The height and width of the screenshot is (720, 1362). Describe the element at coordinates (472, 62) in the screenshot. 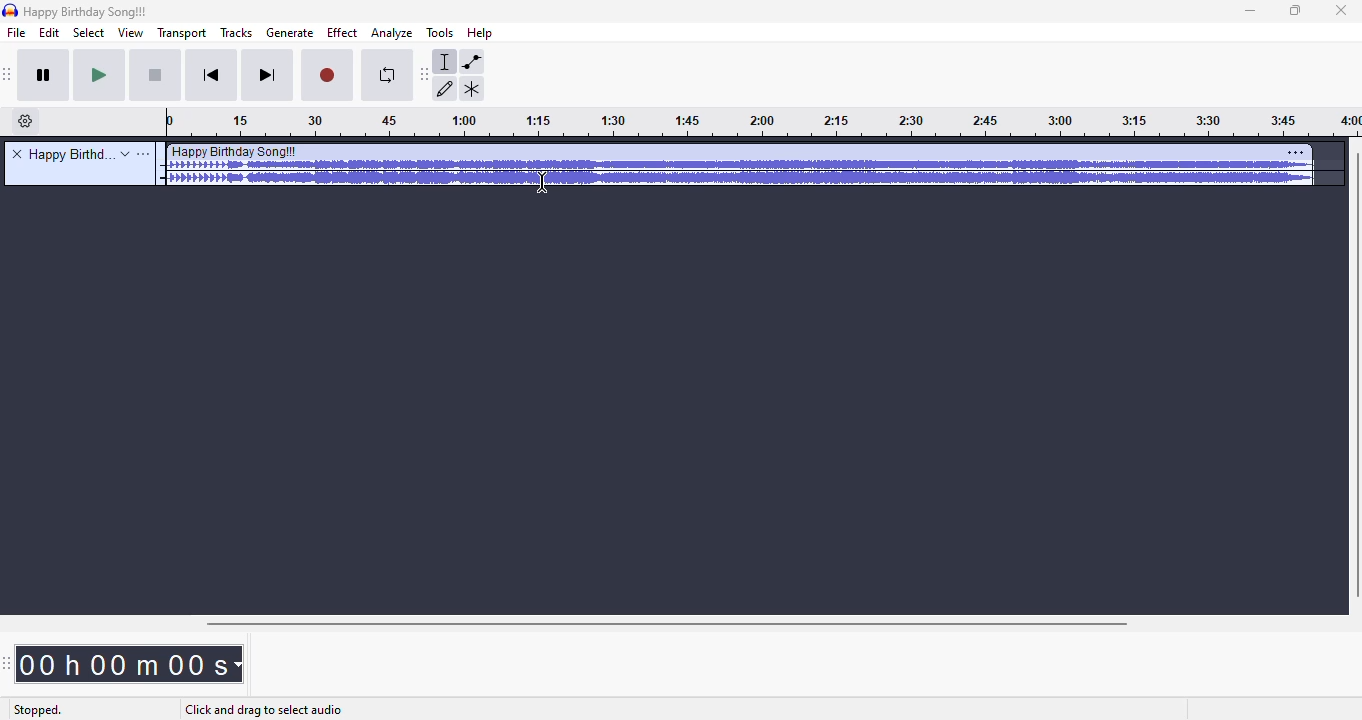

I see `envelope tool` at that location.